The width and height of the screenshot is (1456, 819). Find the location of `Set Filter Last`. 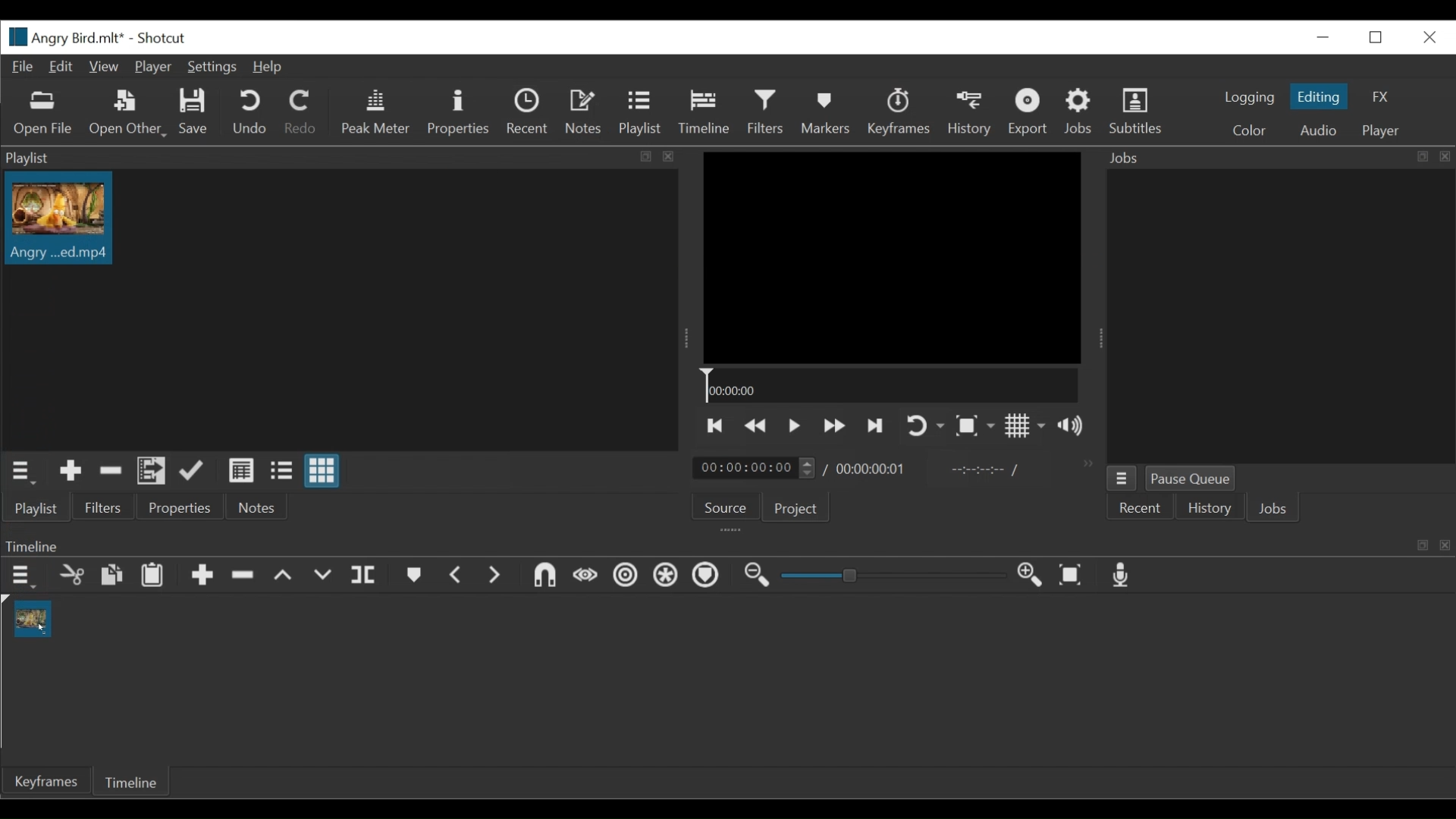

Set Filter Last is located at coordinates (539, 576).